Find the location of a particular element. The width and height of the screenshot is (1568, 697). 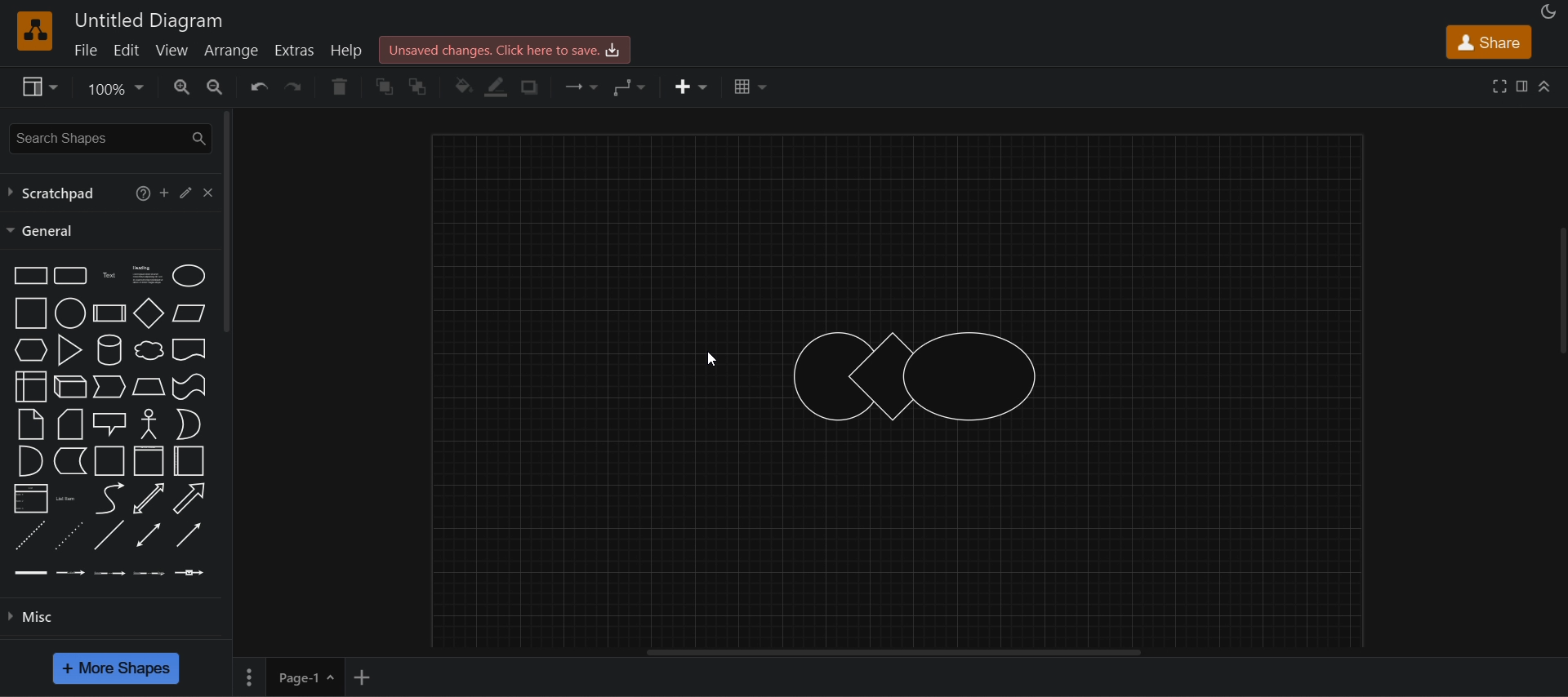

Bidirectional connector is located at coordinates (149, 535).